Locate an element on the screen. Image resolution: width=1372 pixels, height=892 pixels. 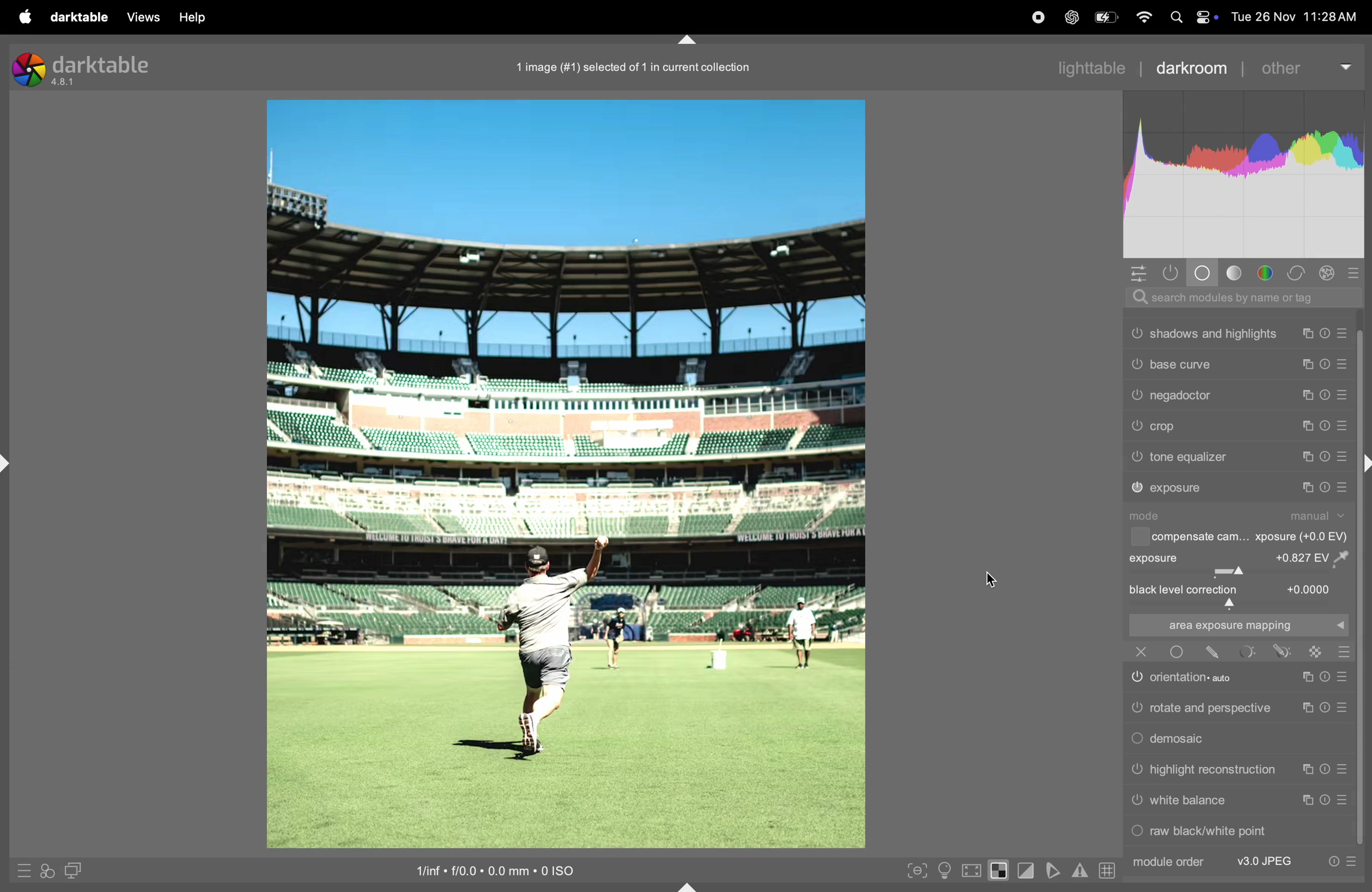
expand or collapse  is located at coordinates (689, 885).